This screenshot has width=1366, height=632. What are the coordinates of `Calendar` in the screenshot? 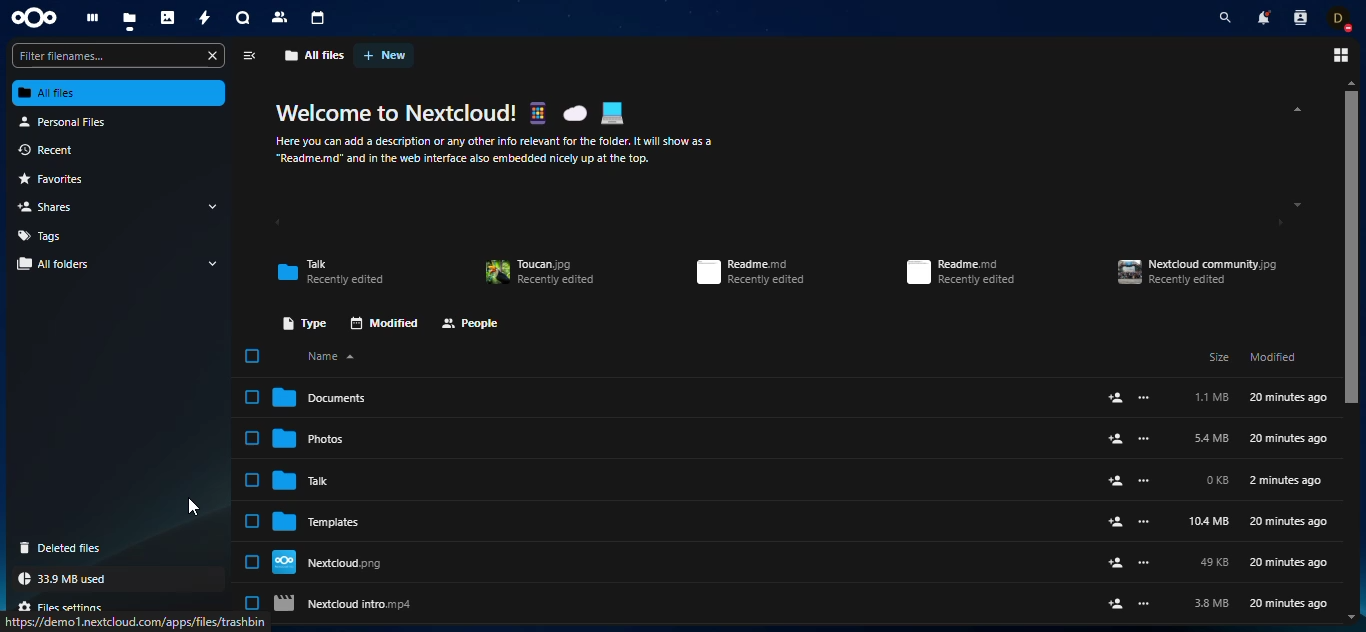 It's located at (320, 17).